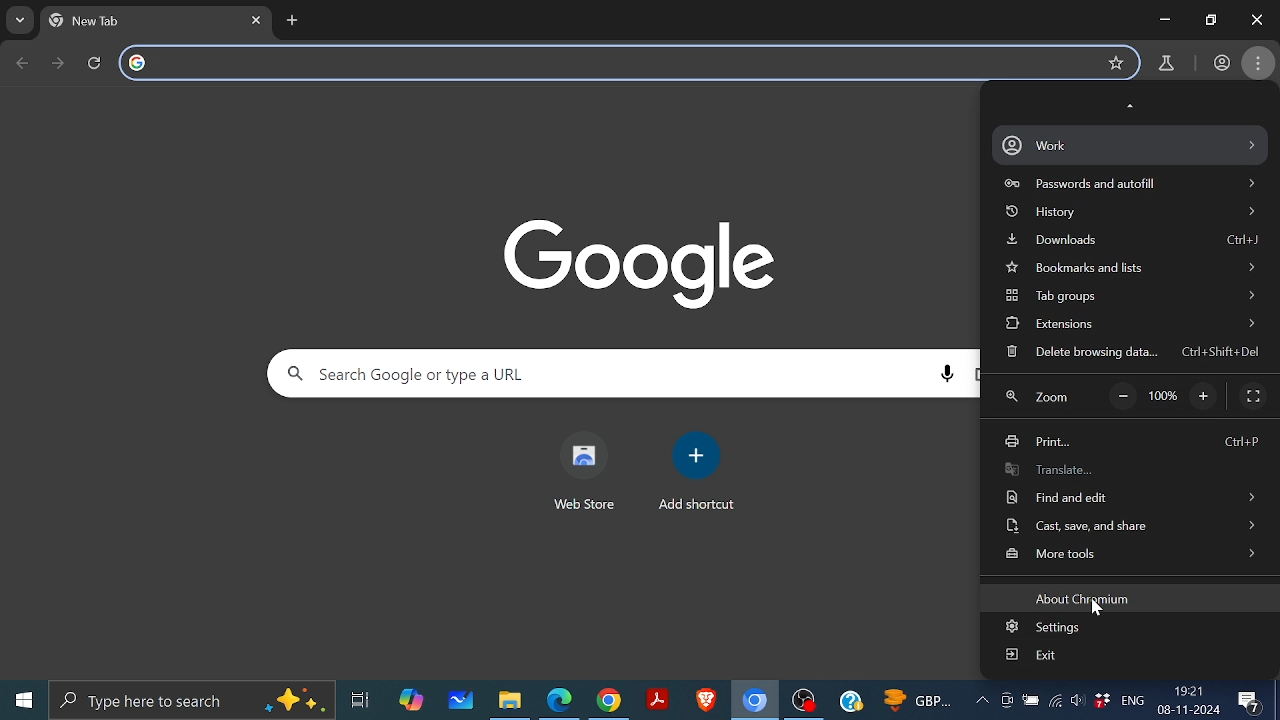 The width and height of the screenshot is (1280, 720). I want to click on Chrome lab, so click(1166, 62).